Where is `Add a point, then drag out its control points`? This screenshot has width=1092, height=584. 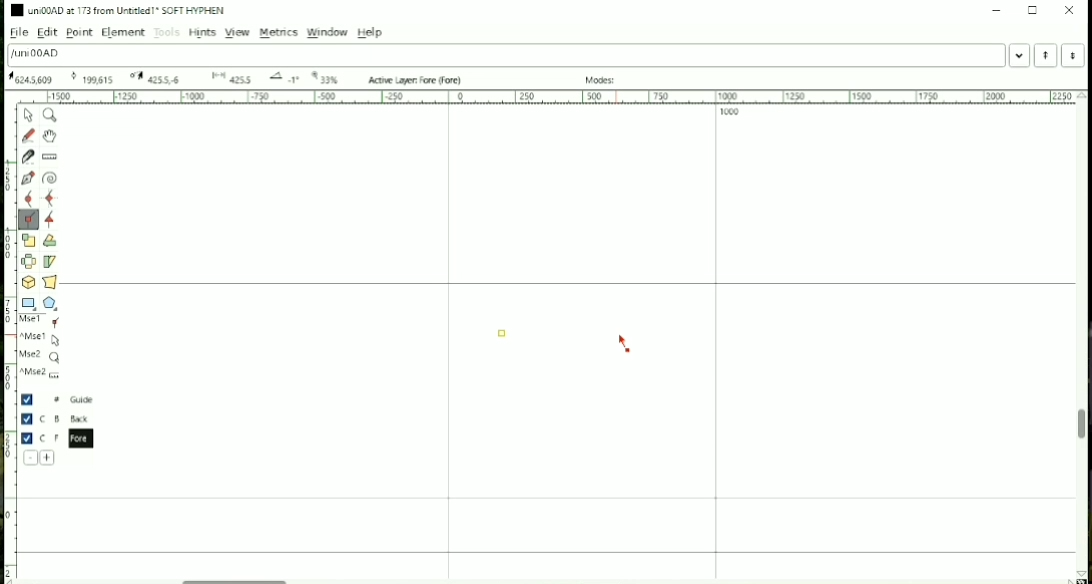
Add a point, then drag out its control points is located at coordinates (29, 178).